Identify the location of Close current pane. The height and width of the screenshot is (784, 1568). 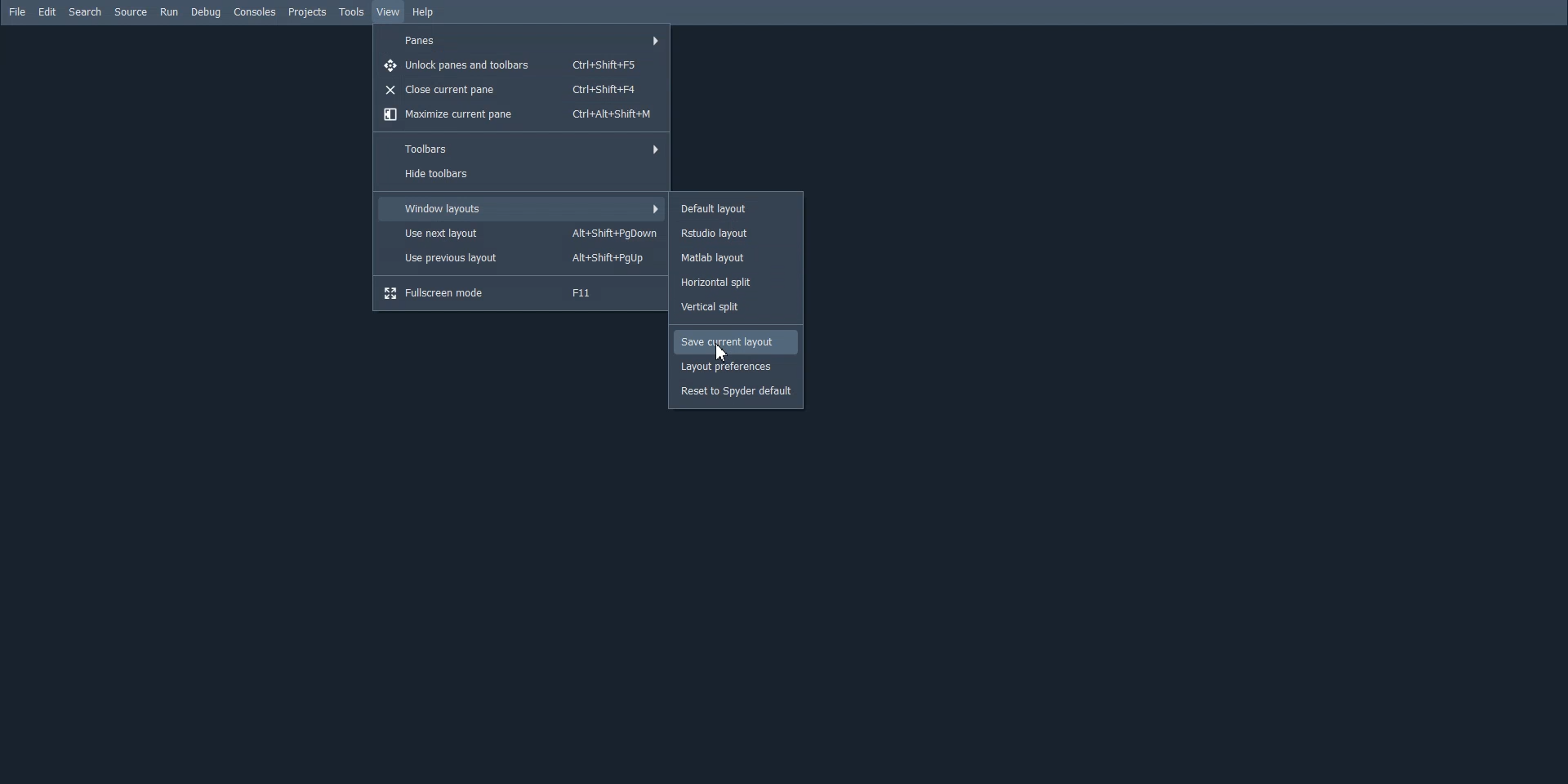
(521, 90).